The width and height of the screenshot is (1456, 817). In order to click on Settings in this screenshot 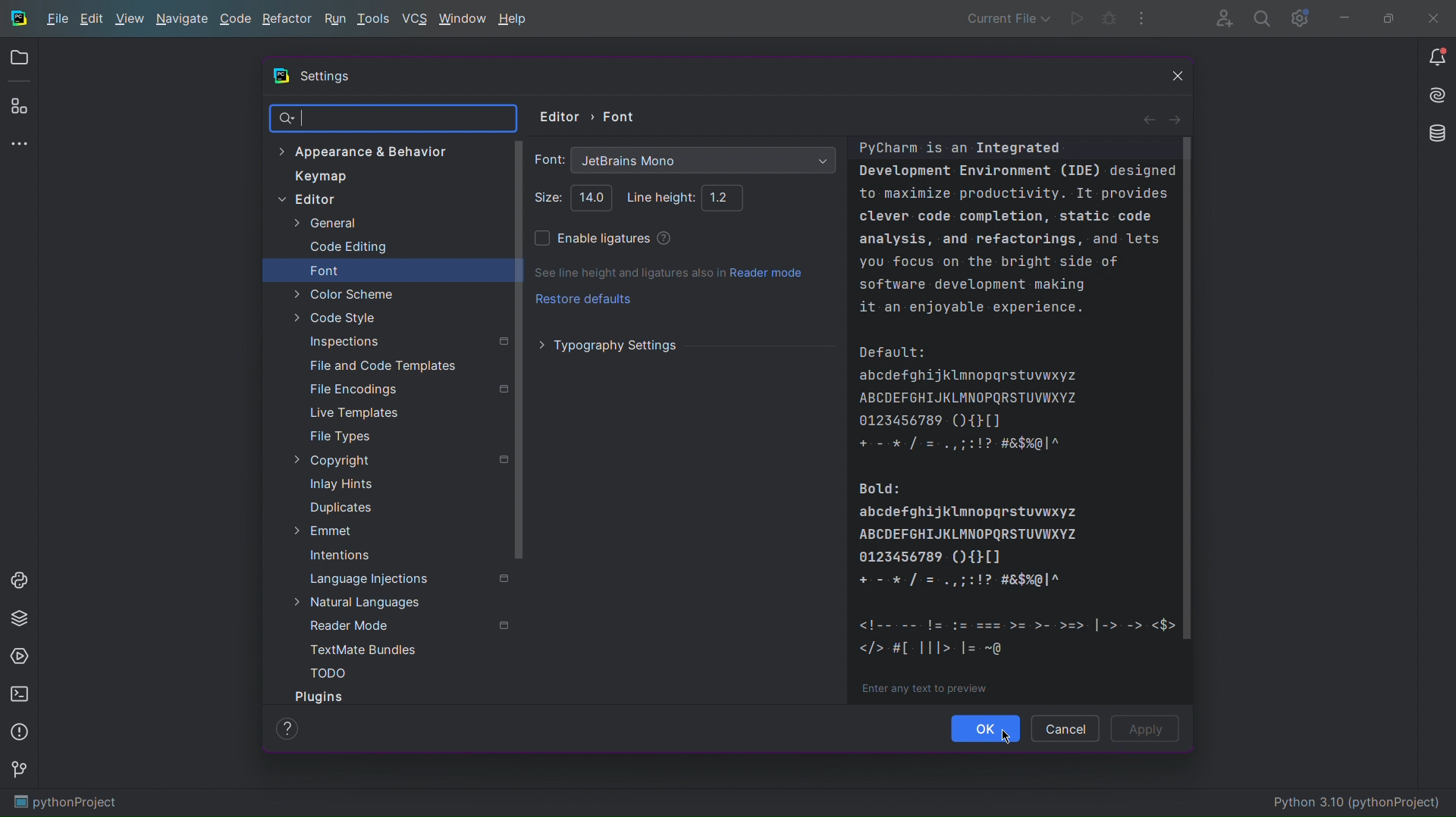, I will do `click(1300, 19)`.